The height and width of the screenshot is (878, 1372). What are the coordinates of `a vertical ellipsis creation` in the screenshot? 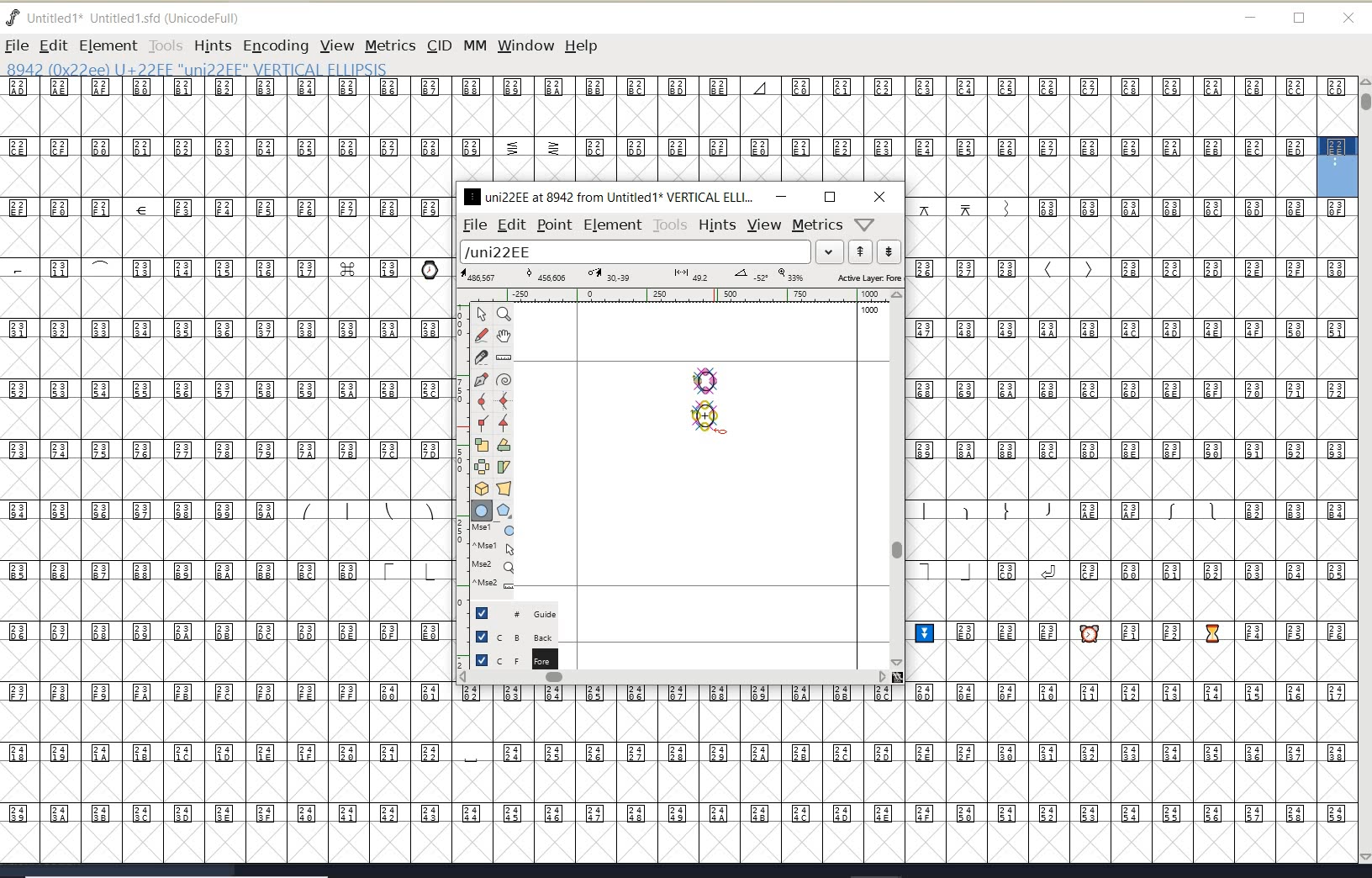 It's located at (710, 378).